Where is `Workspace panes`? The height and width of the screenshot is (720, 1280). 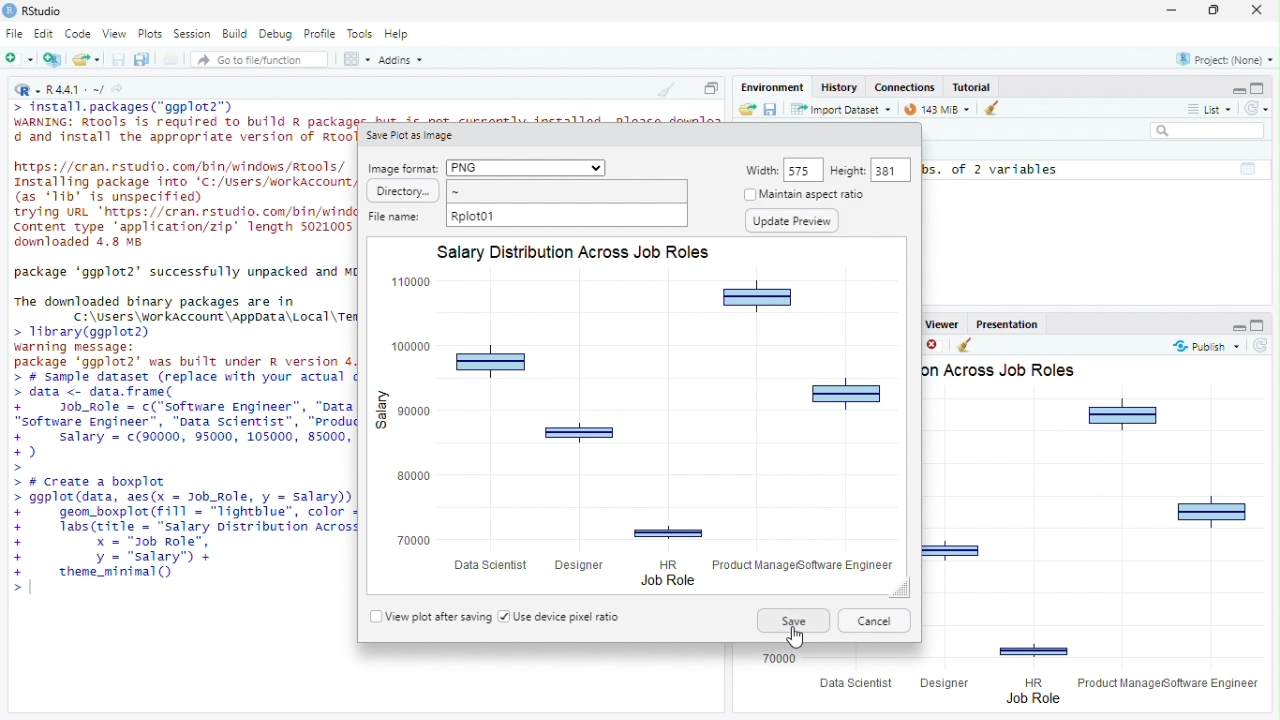
Workspace panes is located at coordinates (356, 58).